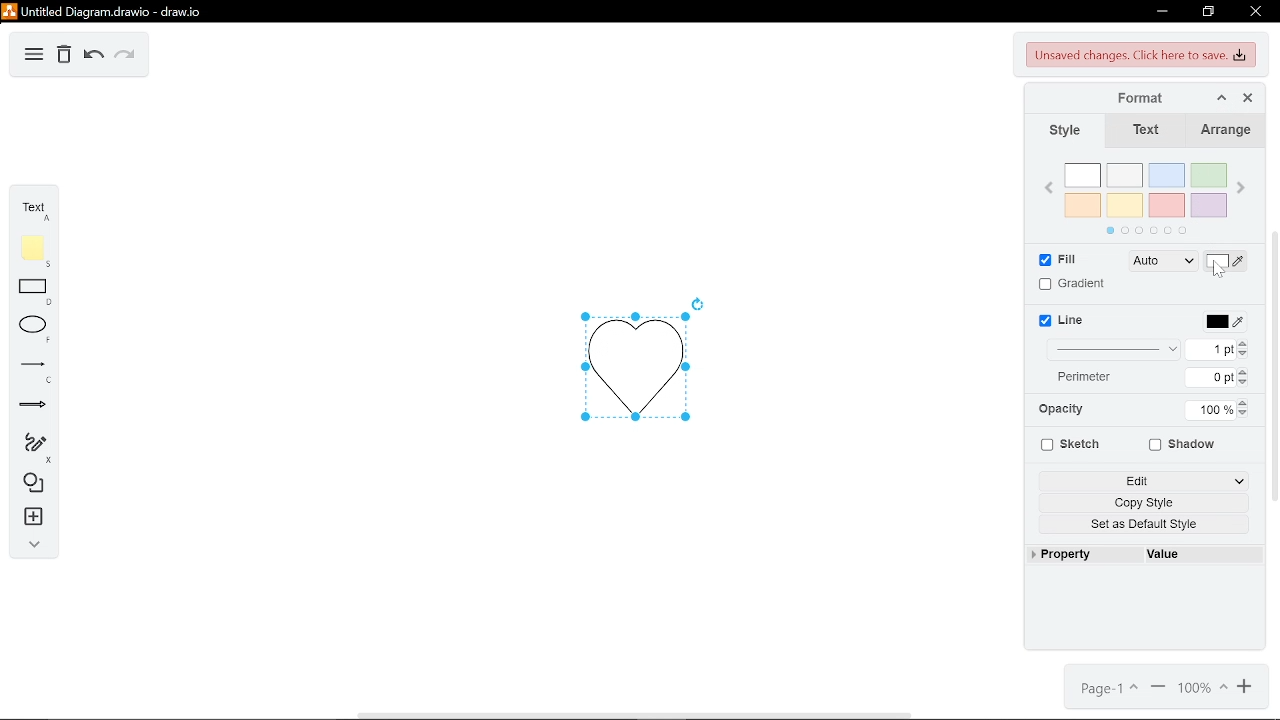 The image size is (1280, 720). I want to click on Cursor, so click(1218, 269).